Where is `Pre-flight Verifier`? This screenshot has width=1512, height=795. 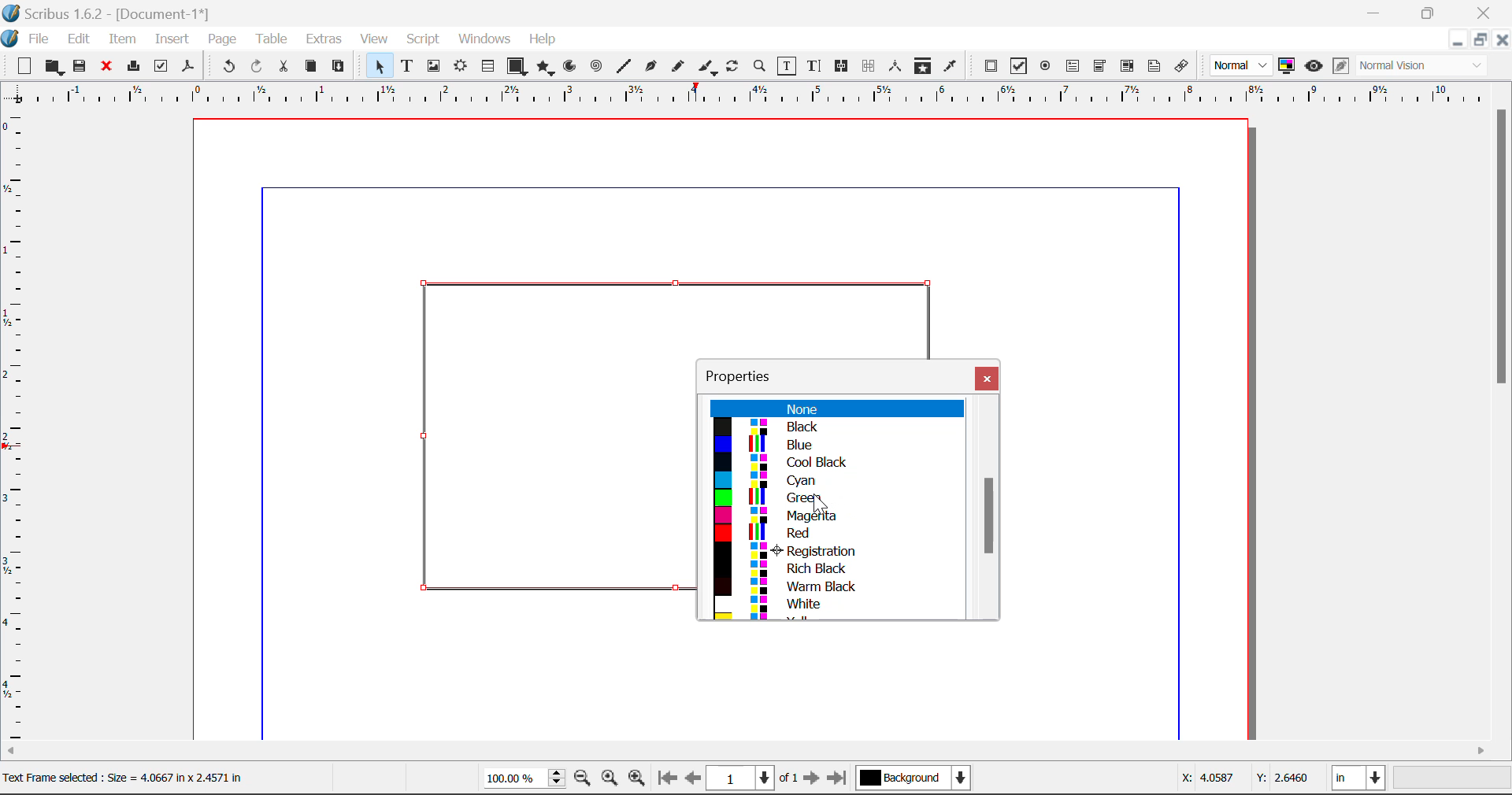
Pre-flight Verifier is located at coordinates (161, 66).